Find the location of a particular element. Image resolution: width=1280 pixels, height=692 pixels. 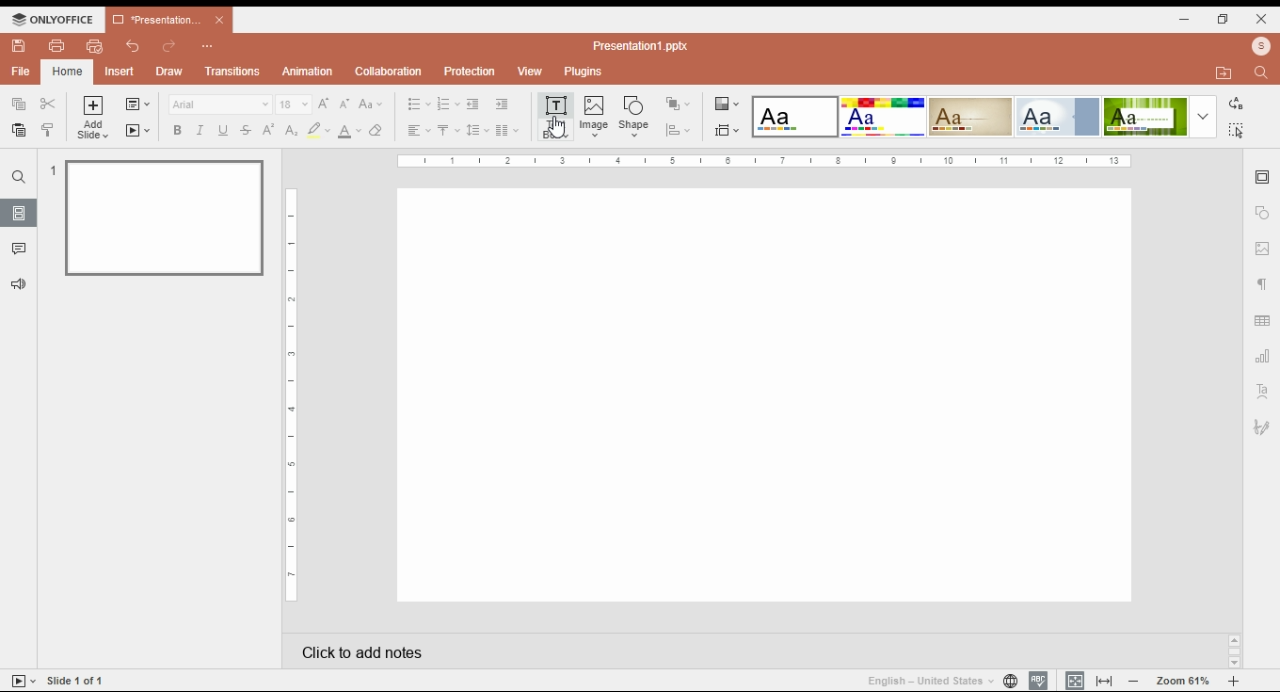

start slide show is located at coordinates (138, 131).